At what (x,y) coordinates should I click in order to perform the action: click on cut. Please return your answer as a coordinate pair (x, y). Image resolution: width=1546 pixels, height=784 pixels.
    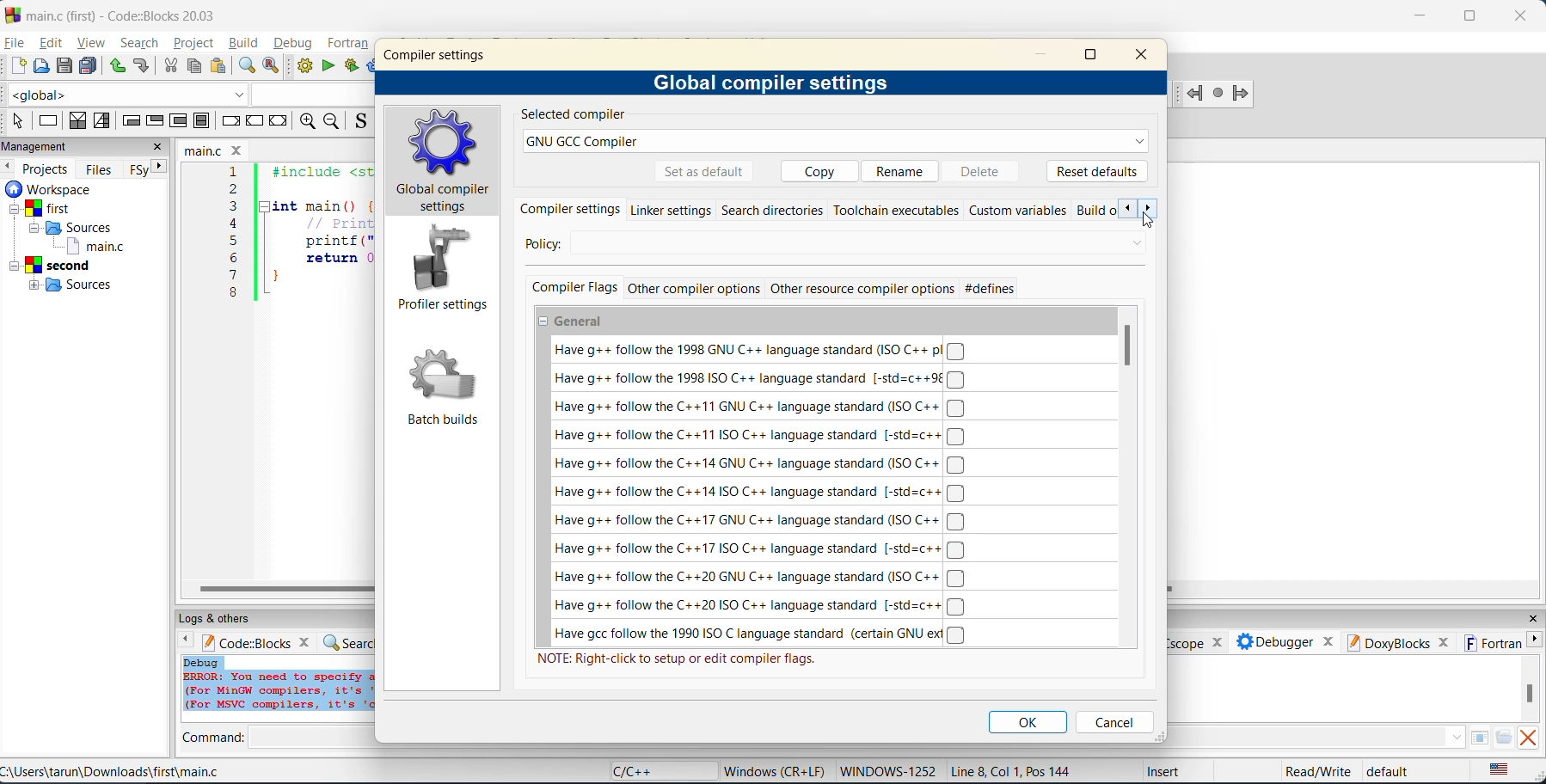
    Looking at the image, I should click on (171, 66).